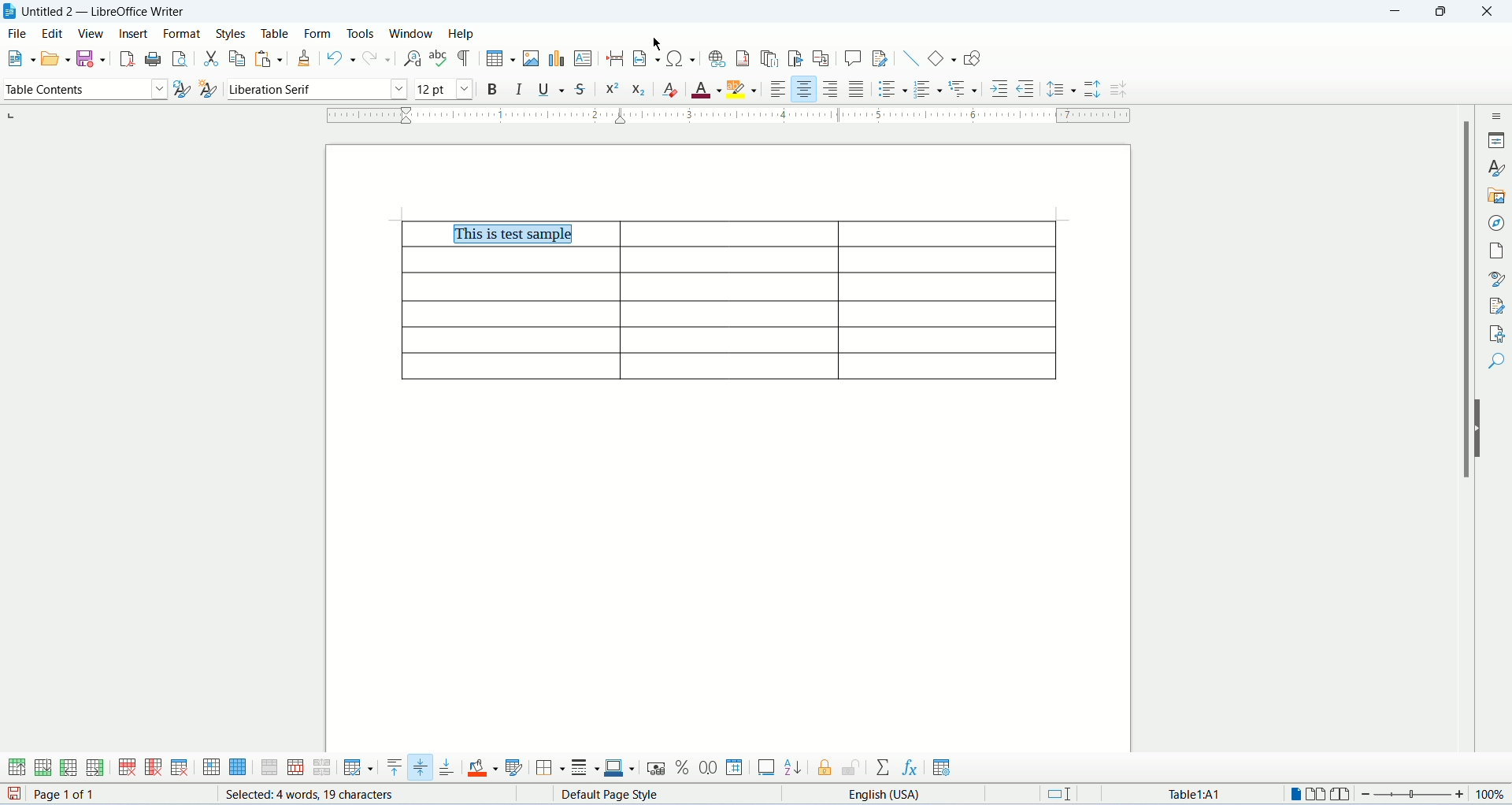  Describe the element at coordinates (727, 317) in the screenshot. I see `table` at that location.